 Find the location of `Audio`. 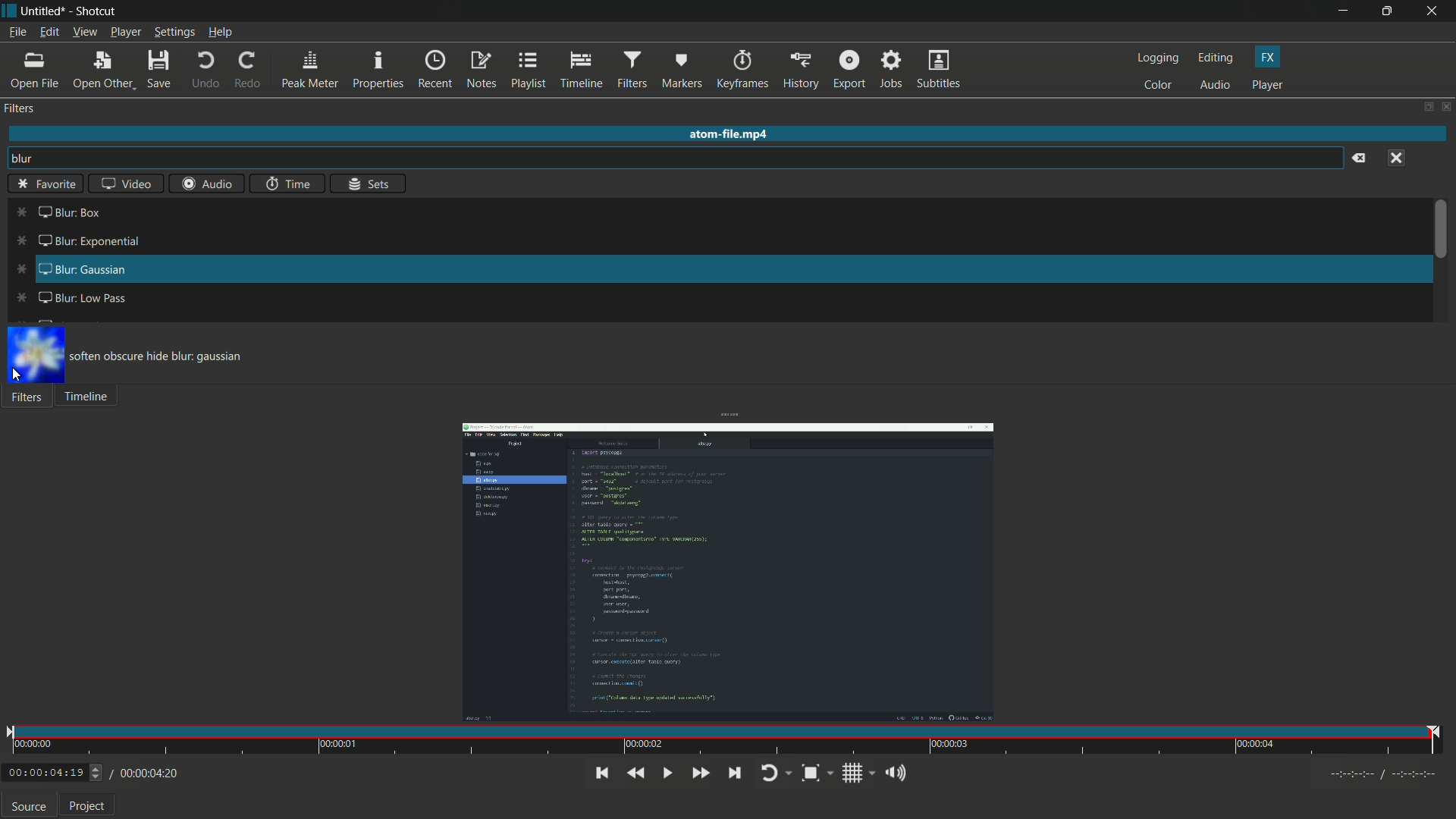

Audio is located at coordinates (203, 185).